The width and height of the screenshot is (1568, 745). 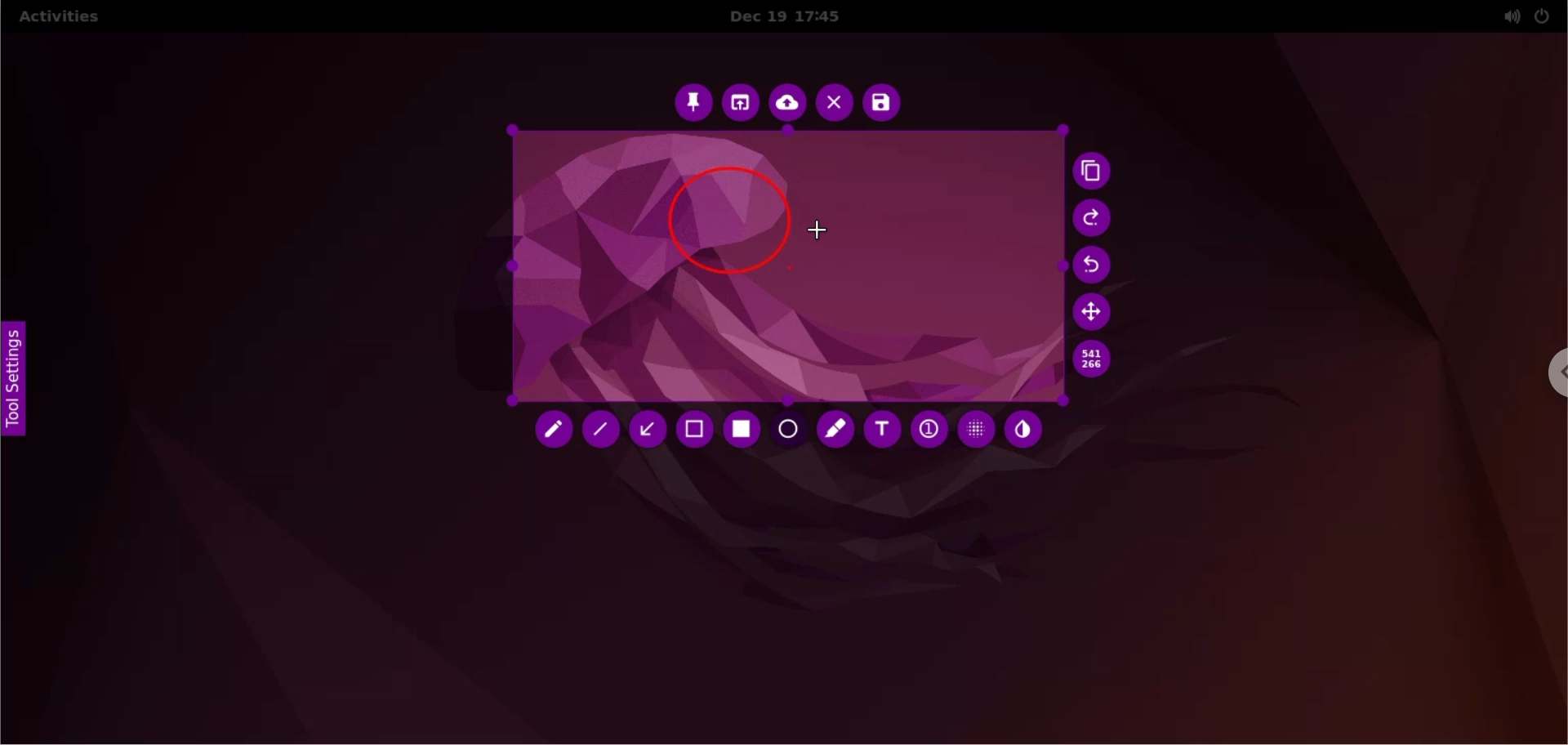 I want to click on line tool, so click(x=604, y=433).